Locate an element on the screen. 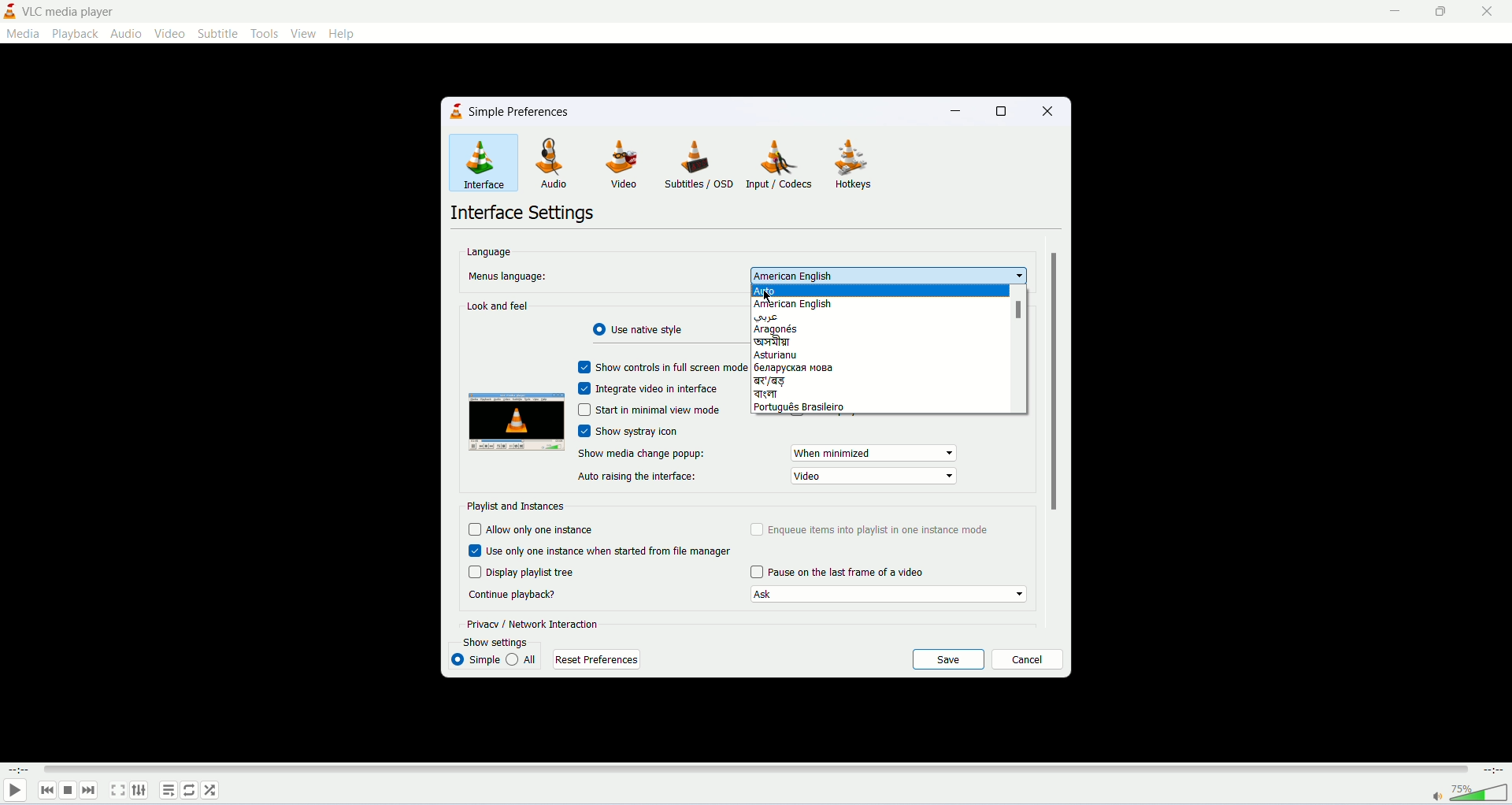  portugues brasileiro is located at coordinates (881, 406).